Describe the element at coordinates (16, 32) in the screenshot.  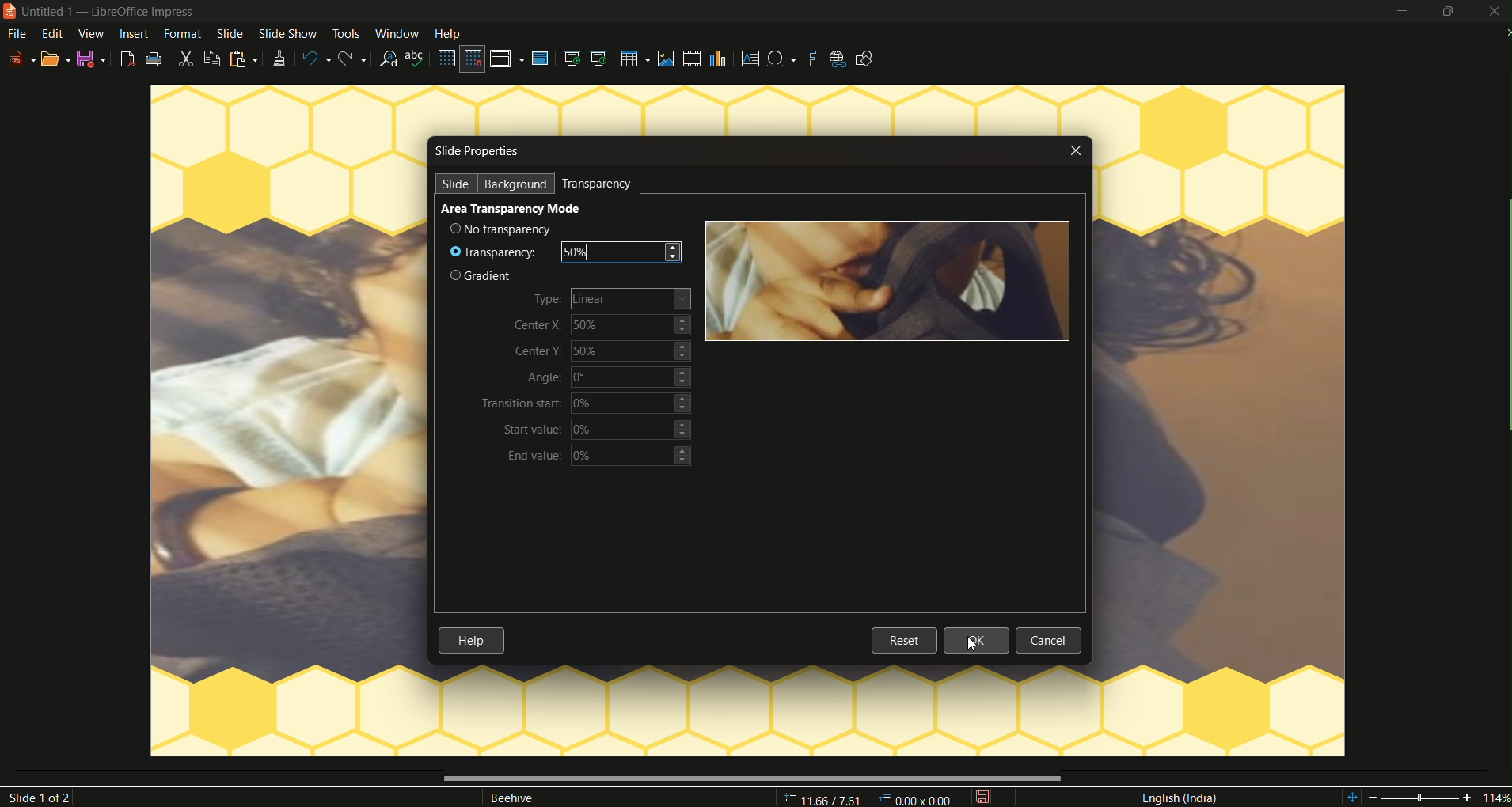
I see `file` at that location.